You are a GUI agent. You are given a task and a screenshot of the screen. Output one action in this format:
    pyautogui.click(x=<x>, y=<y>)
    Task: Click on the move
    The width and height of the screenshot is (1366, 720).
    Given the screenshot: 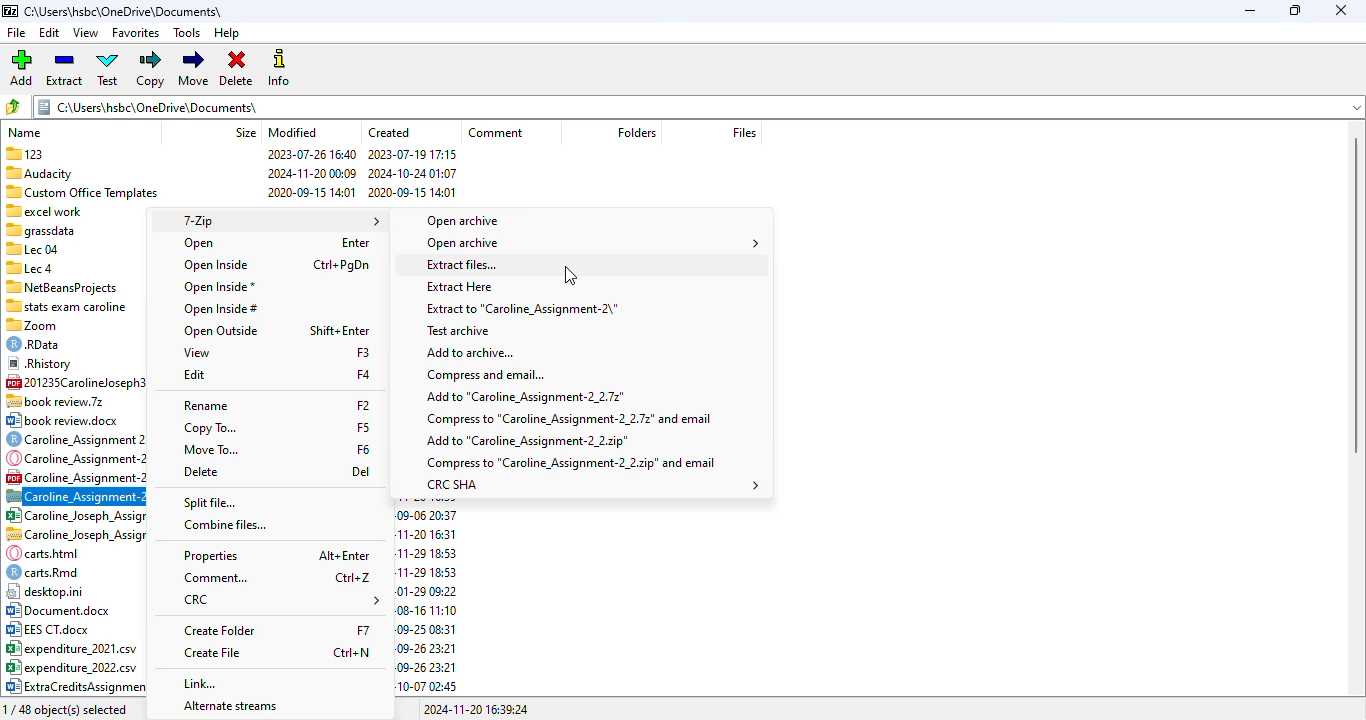 What is the action you would take?
    pyautogui.click(x=195, y=68)
    